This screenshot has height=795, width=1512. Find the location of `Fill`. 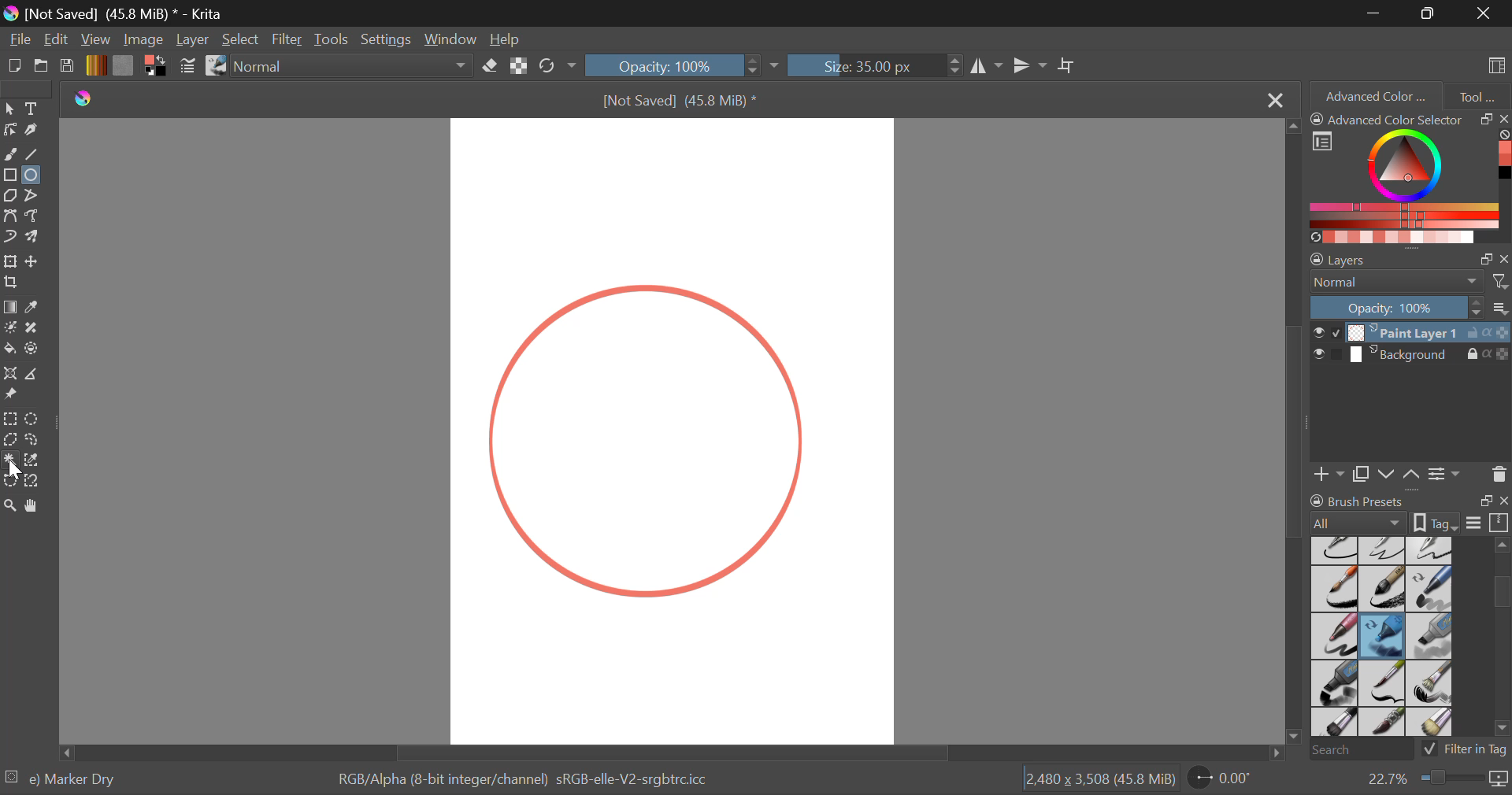

Fill is located at coordinates (9, 346).